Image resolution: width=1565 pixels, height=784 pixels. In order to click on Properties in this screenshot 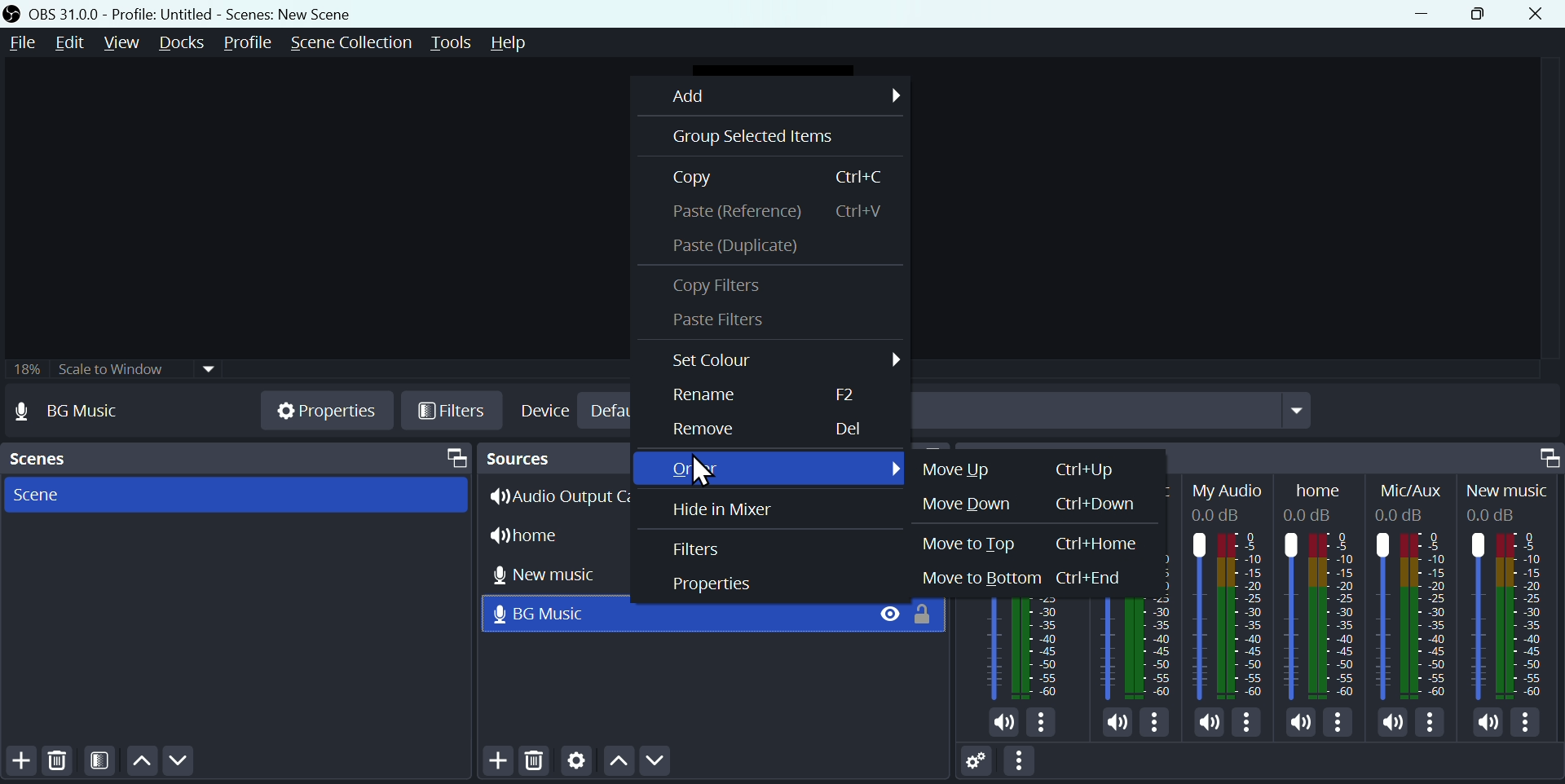, I will do `click(328, 409)`.